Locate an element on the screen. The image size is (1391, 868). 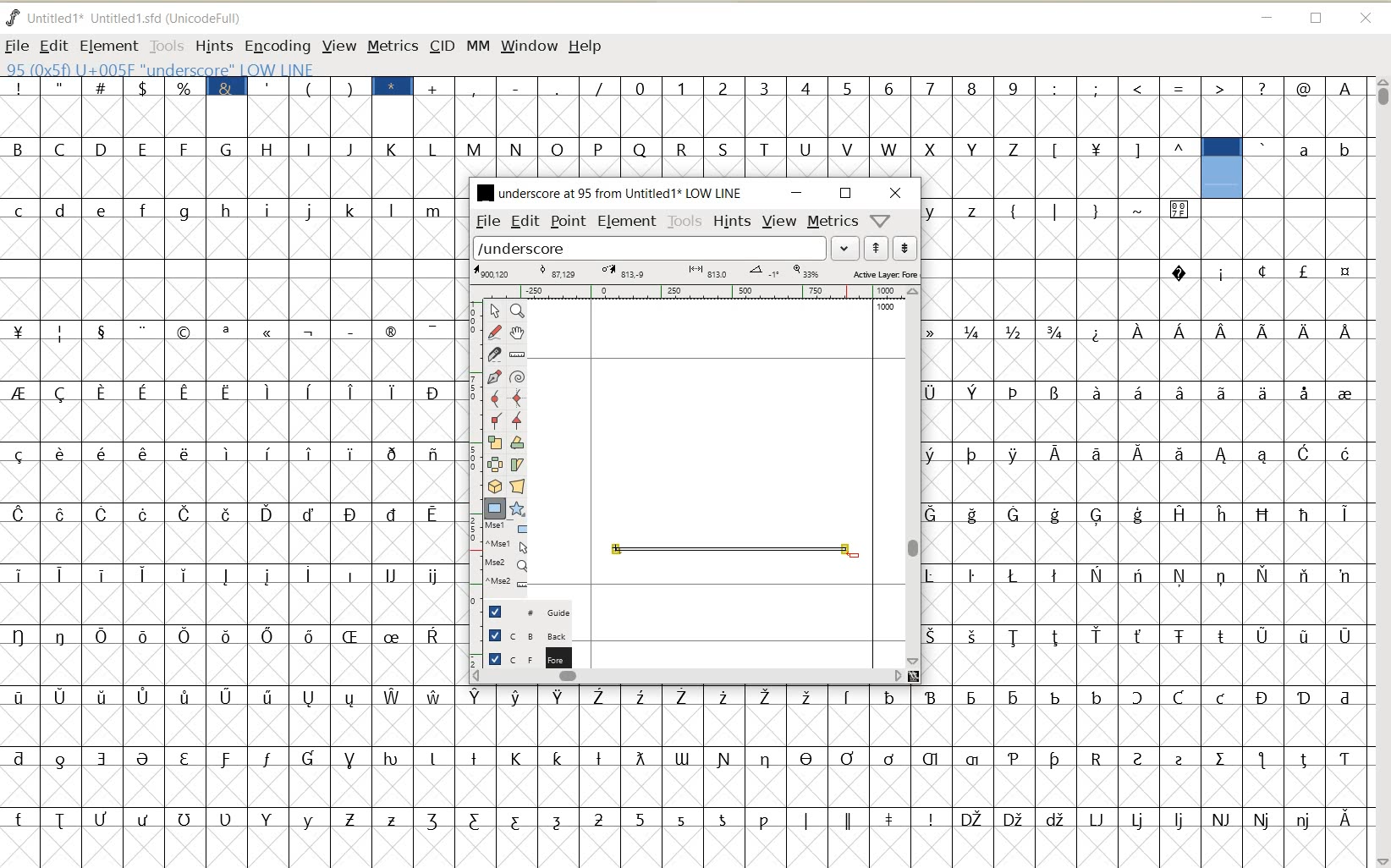
METRICS is located at coordinates (392, 46).